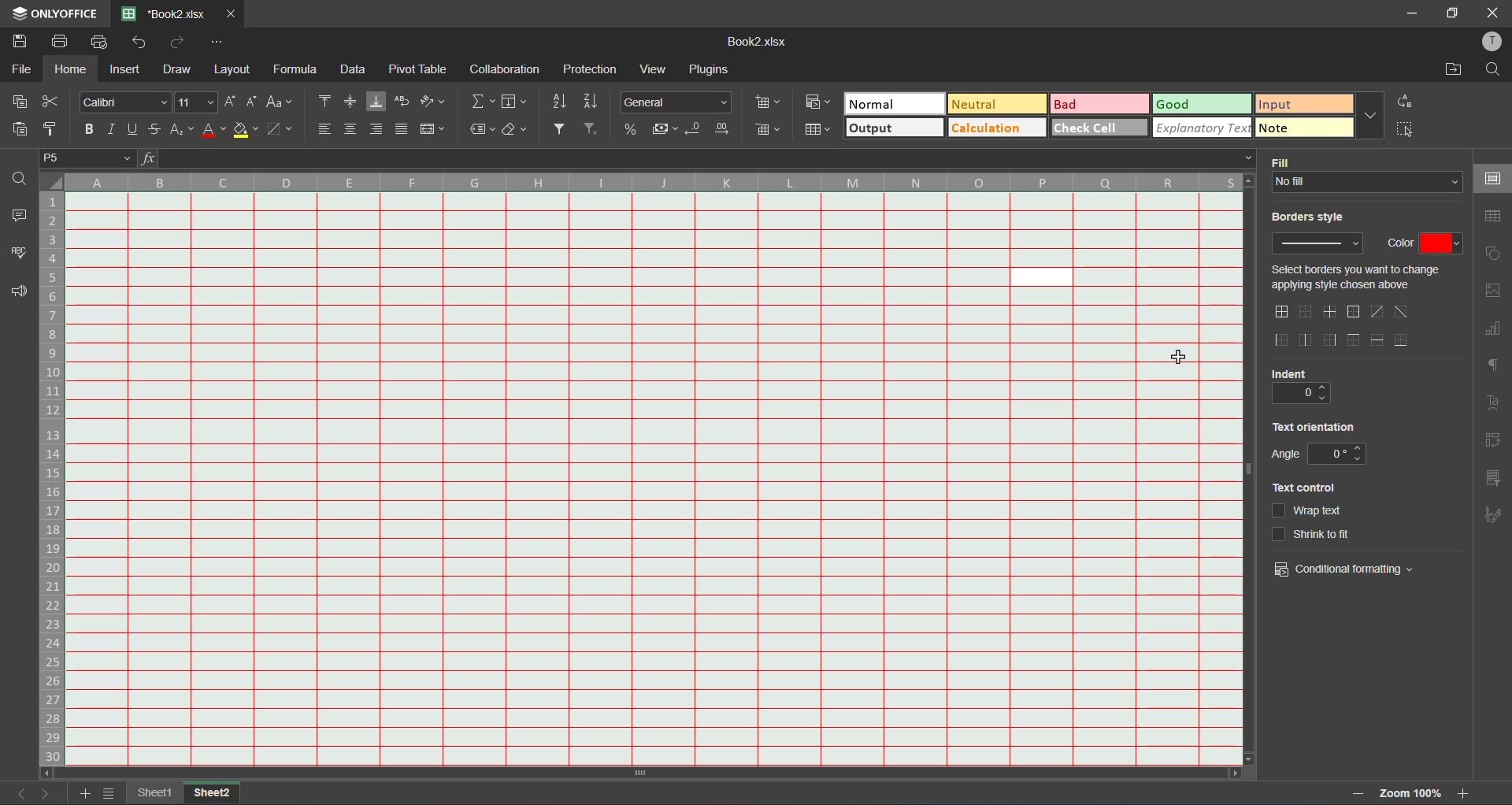  I want to click on borders, so click(284, 131).